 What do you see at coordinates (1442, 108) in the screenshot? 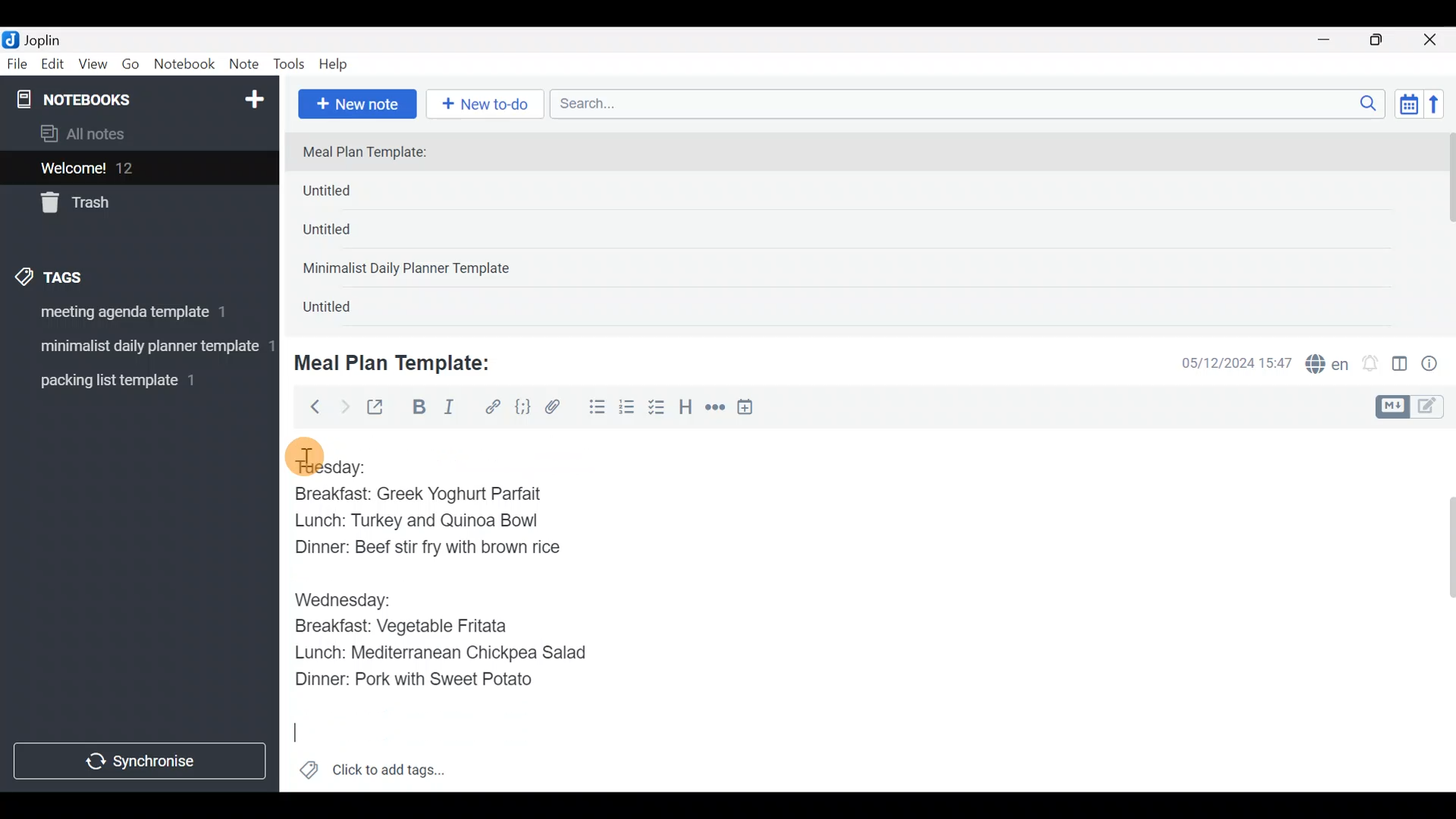
I see `Reverse sort` at bounding box center [1442, 108].